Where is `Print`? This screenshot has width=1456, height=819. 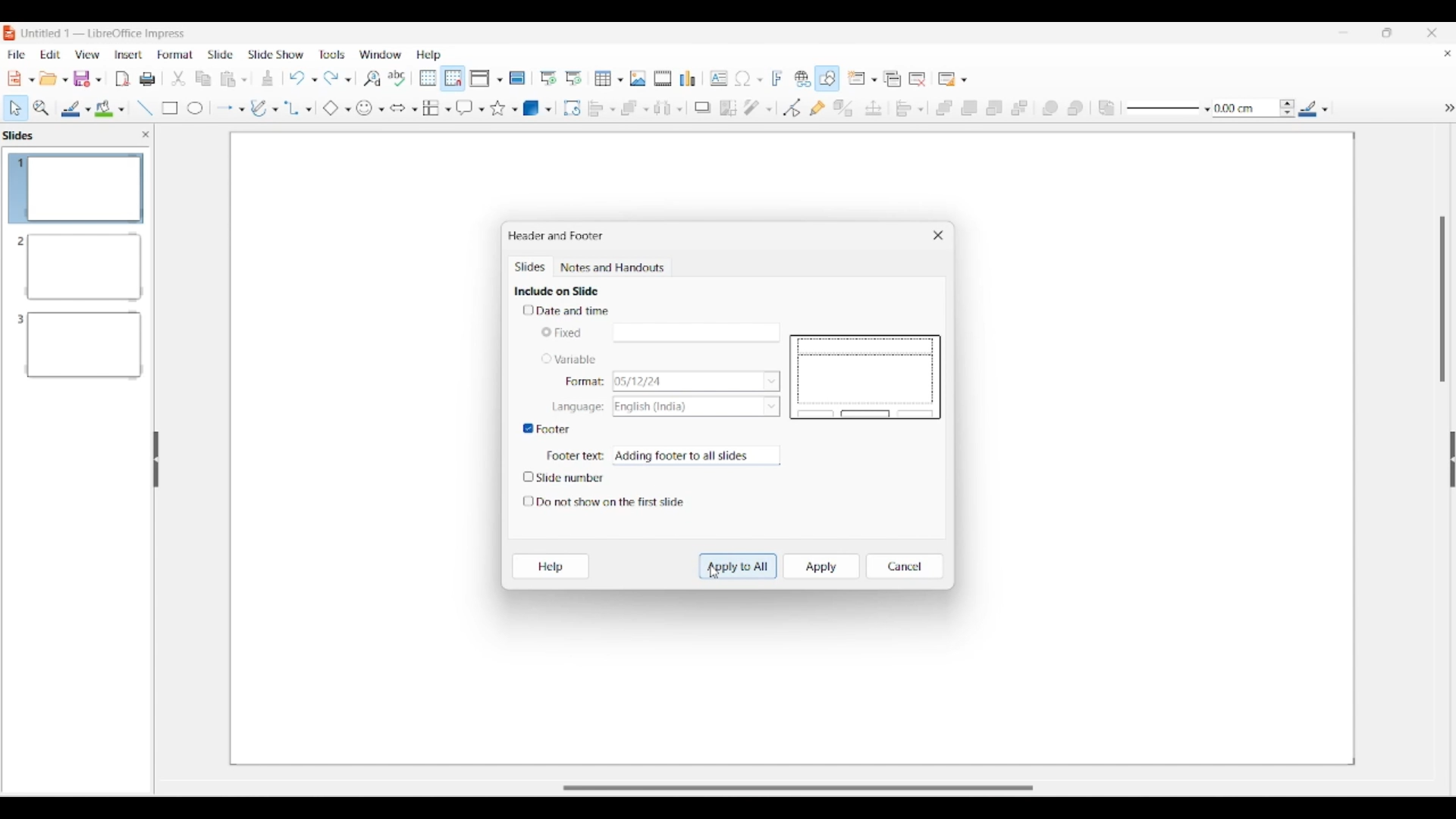
Print is located at coordinates (147, 77).